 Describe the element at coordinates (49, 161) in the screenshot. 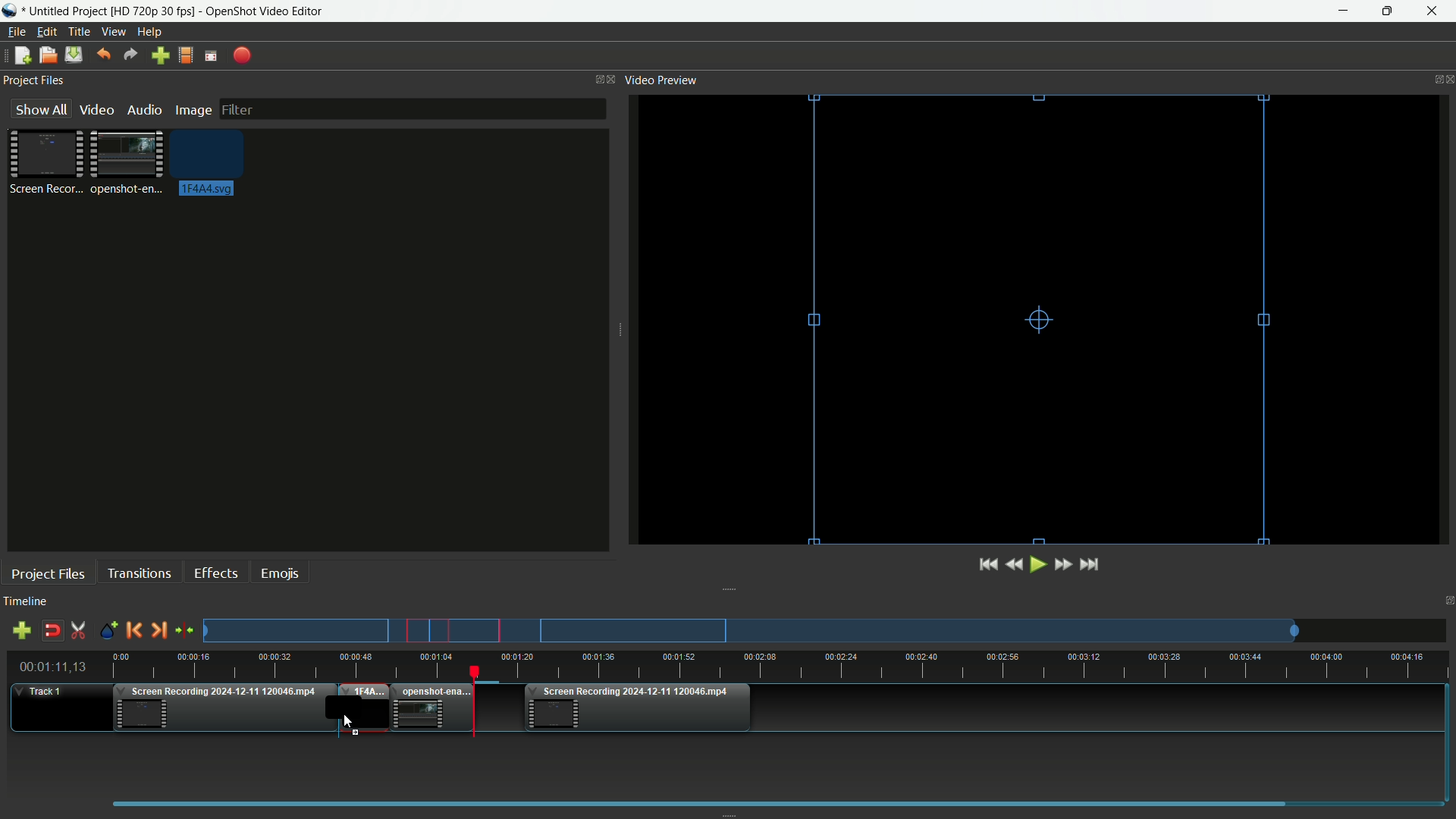

I see `Project file one` at that location.